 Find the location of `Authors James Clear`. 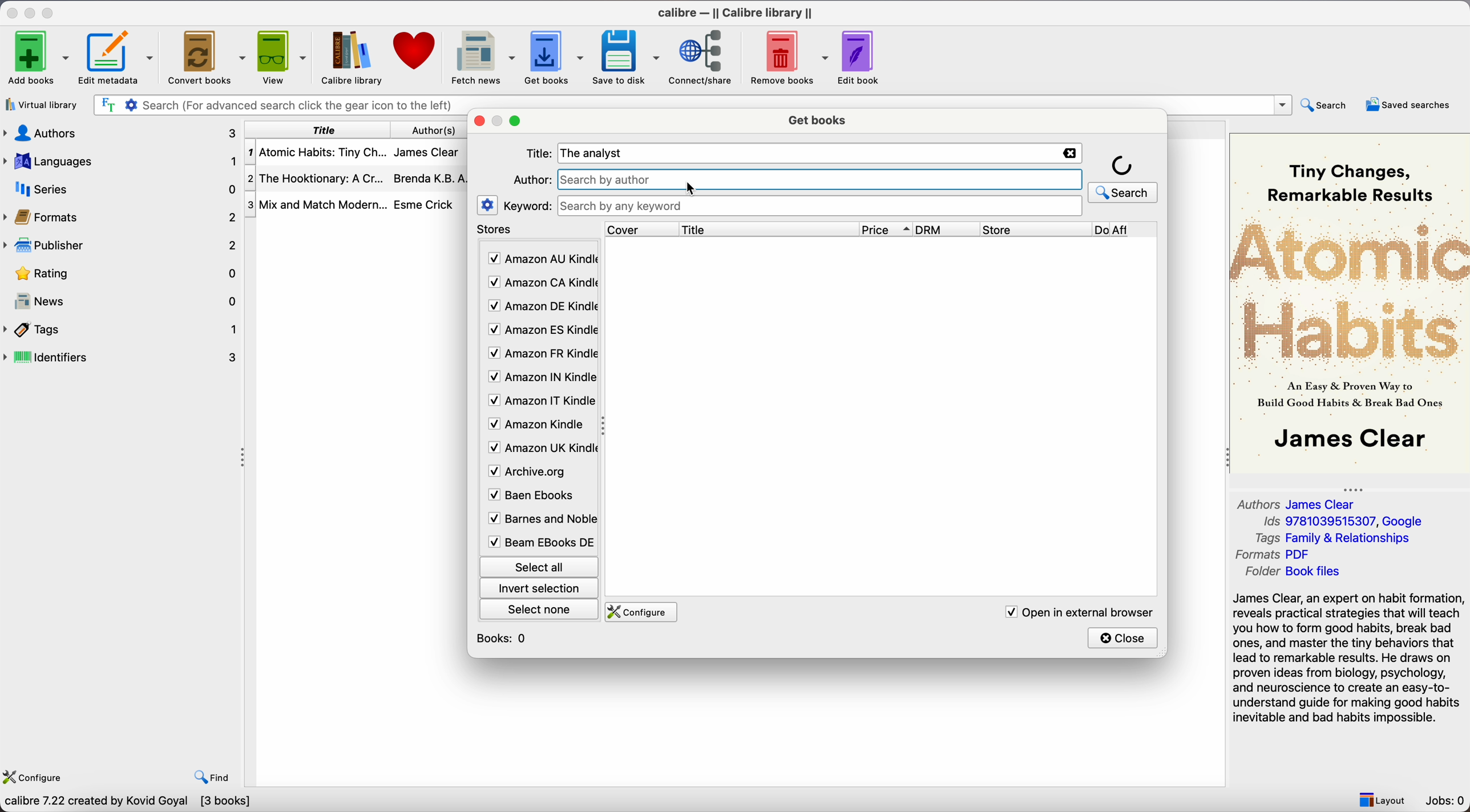

Authors James Clear is located at coordinates (1298, 503).